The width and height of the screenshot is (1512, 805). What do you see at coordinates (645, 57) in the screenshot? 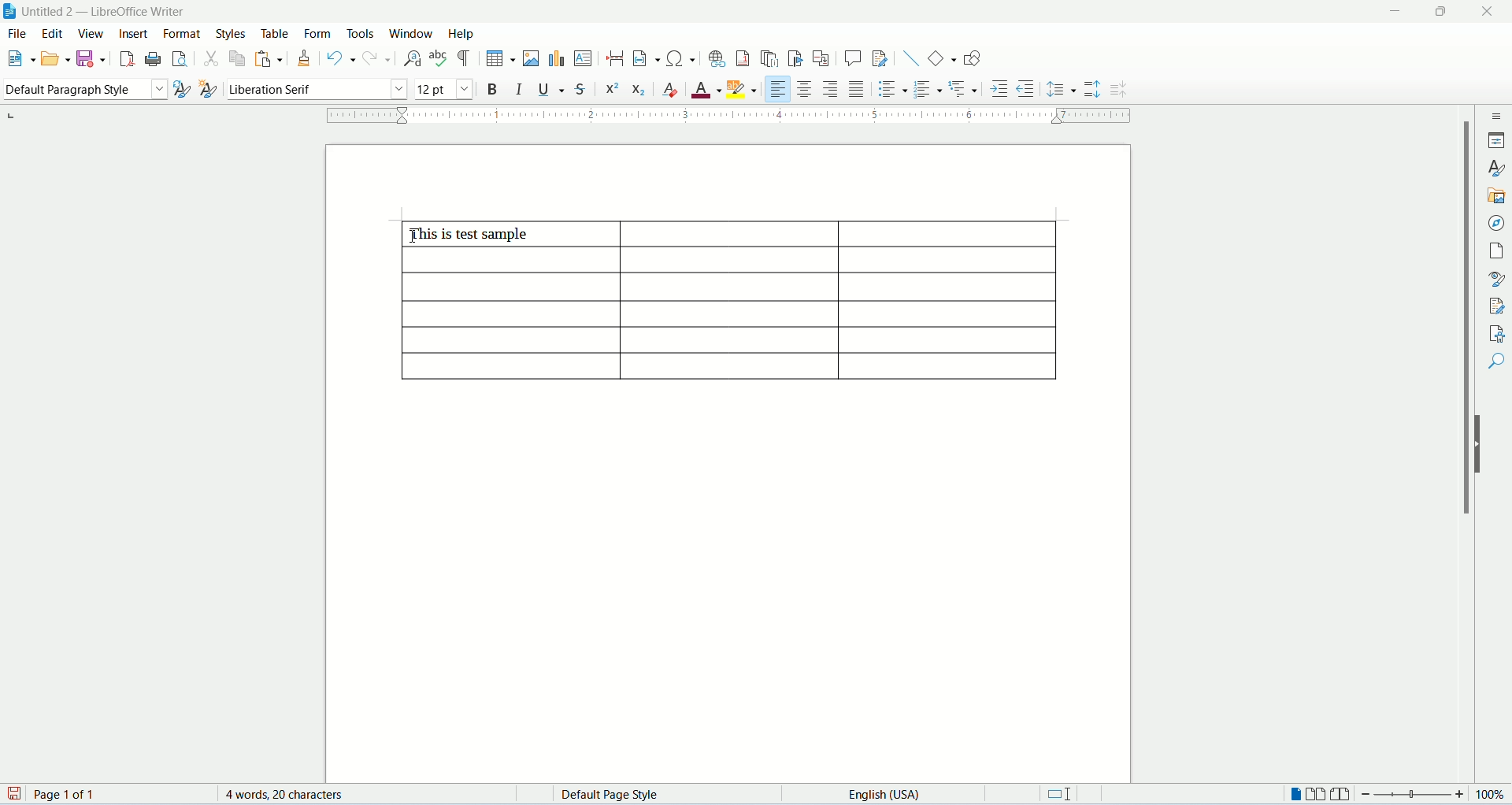
I see `insert field` at bounding box center [645, 57].